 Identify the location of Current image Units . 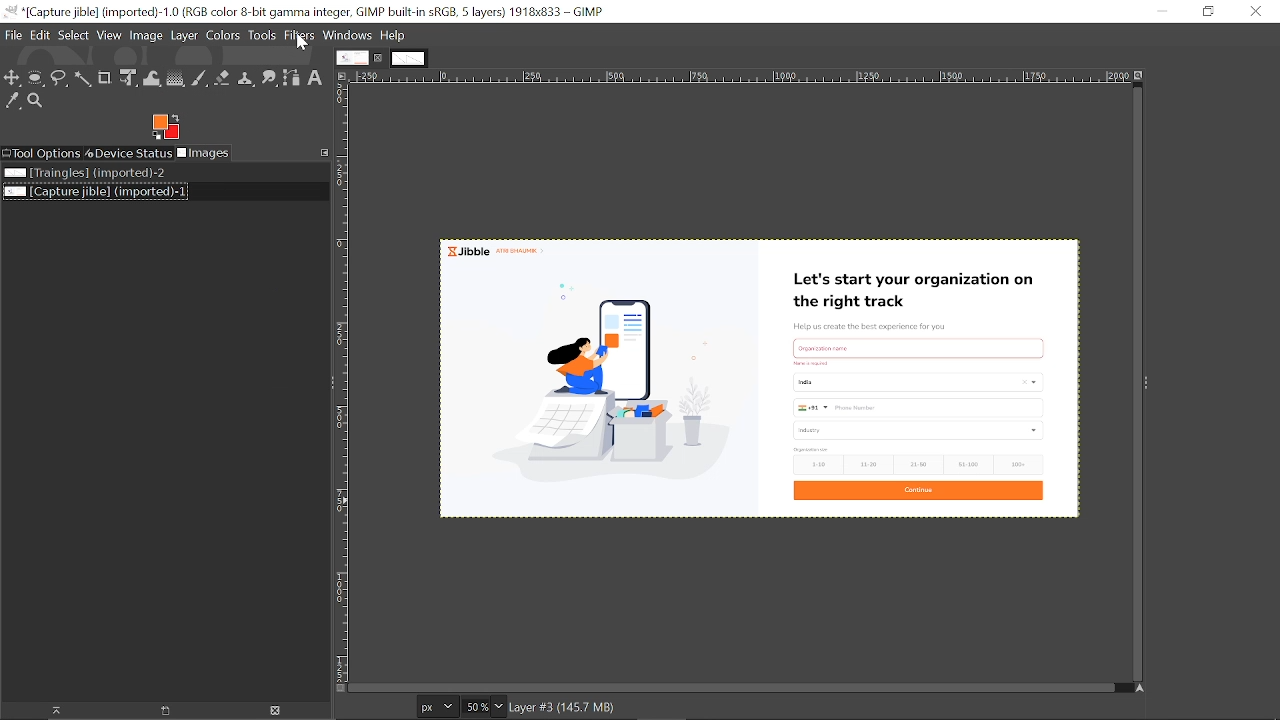
(437, 706).